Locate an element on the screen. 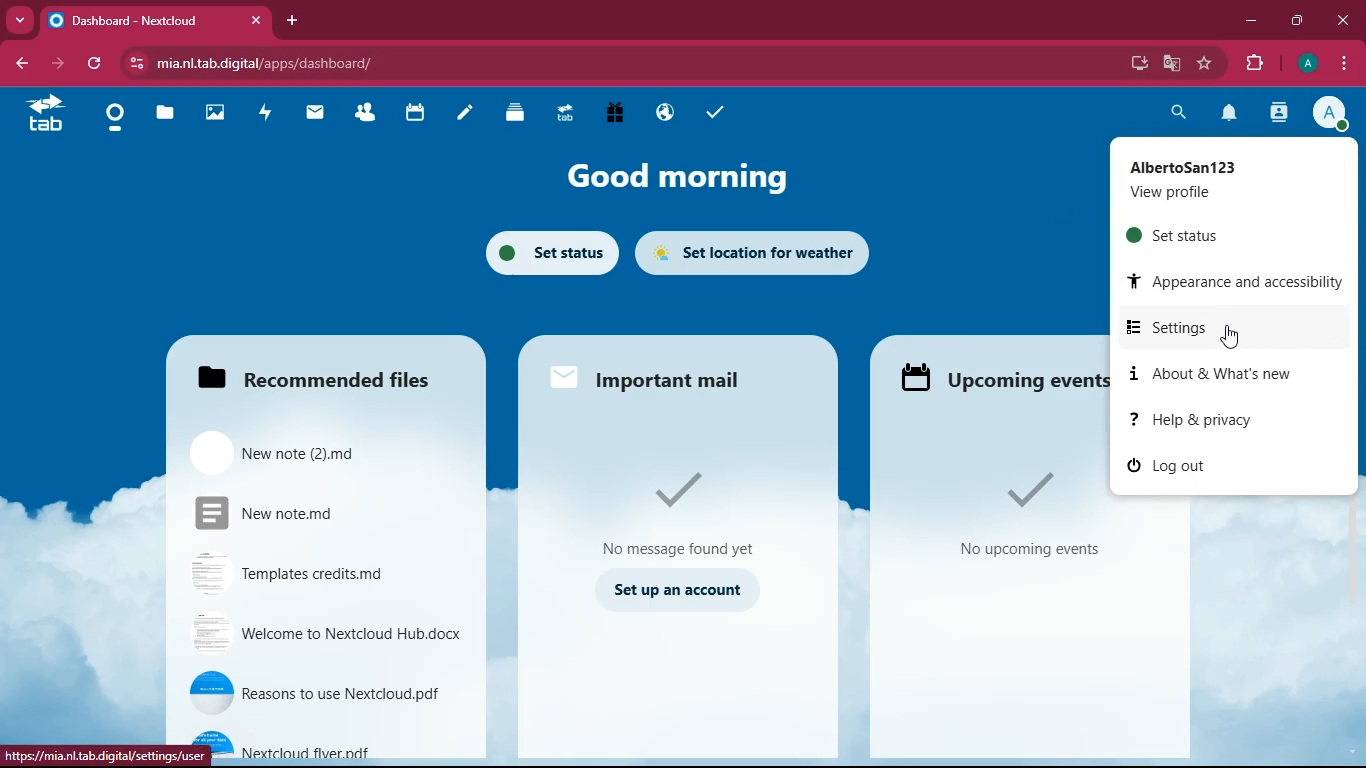  notes is located at coordinates (467, 115).